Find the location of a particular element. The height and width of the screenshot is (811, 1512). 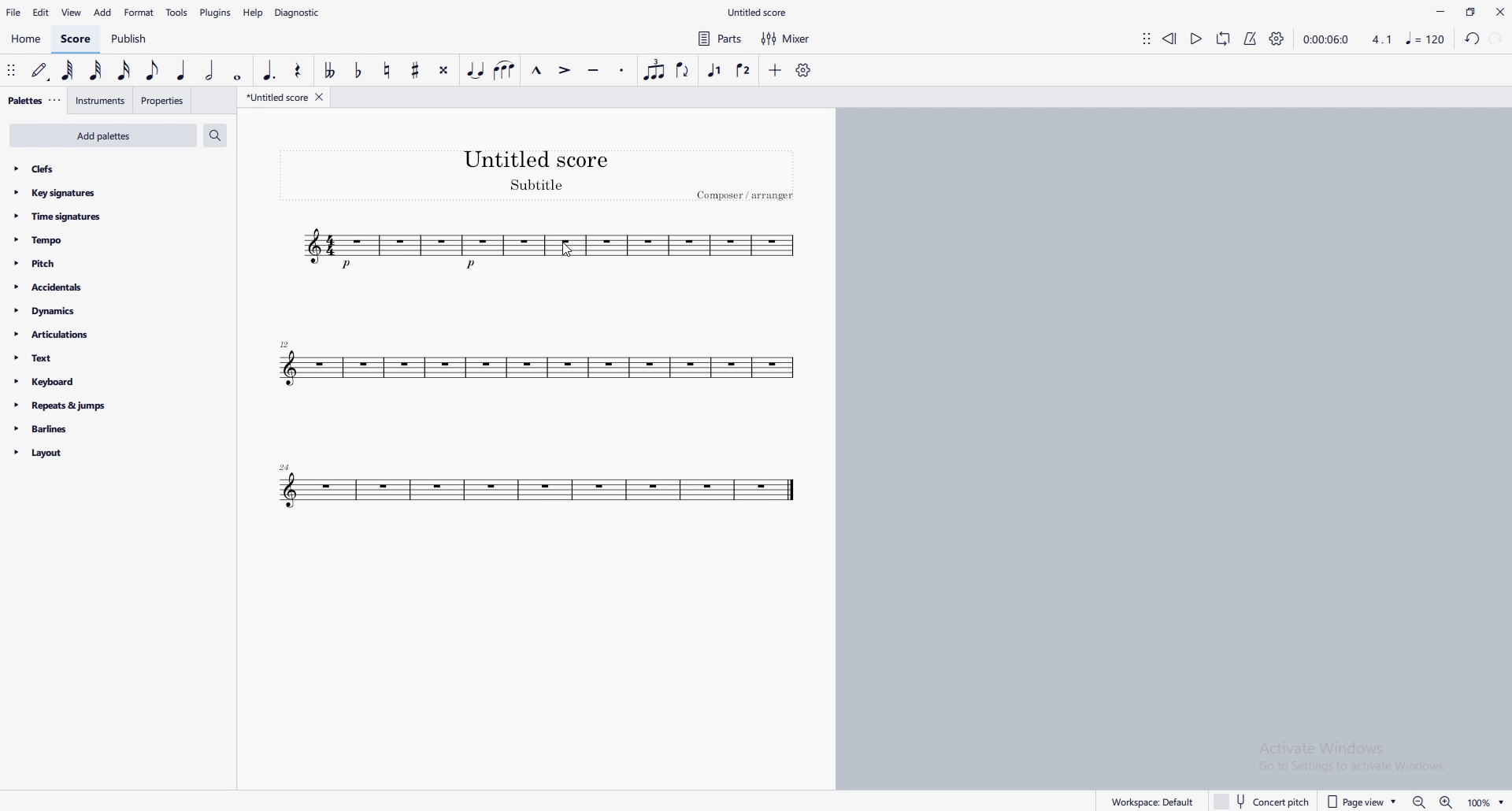

play is located at coordinates (1196, 38).